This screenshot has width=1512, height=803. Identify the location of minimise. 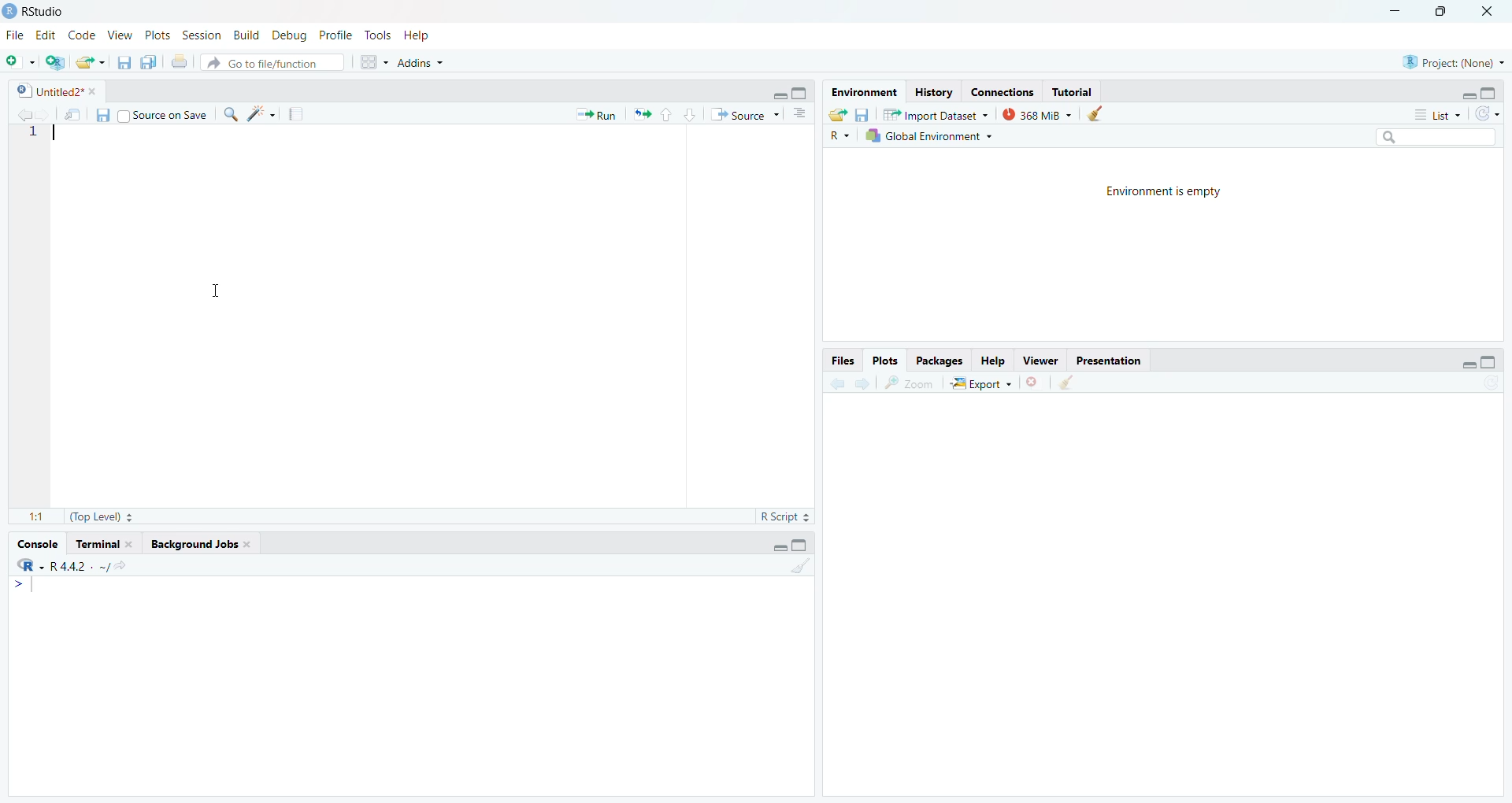
(1395, 6).